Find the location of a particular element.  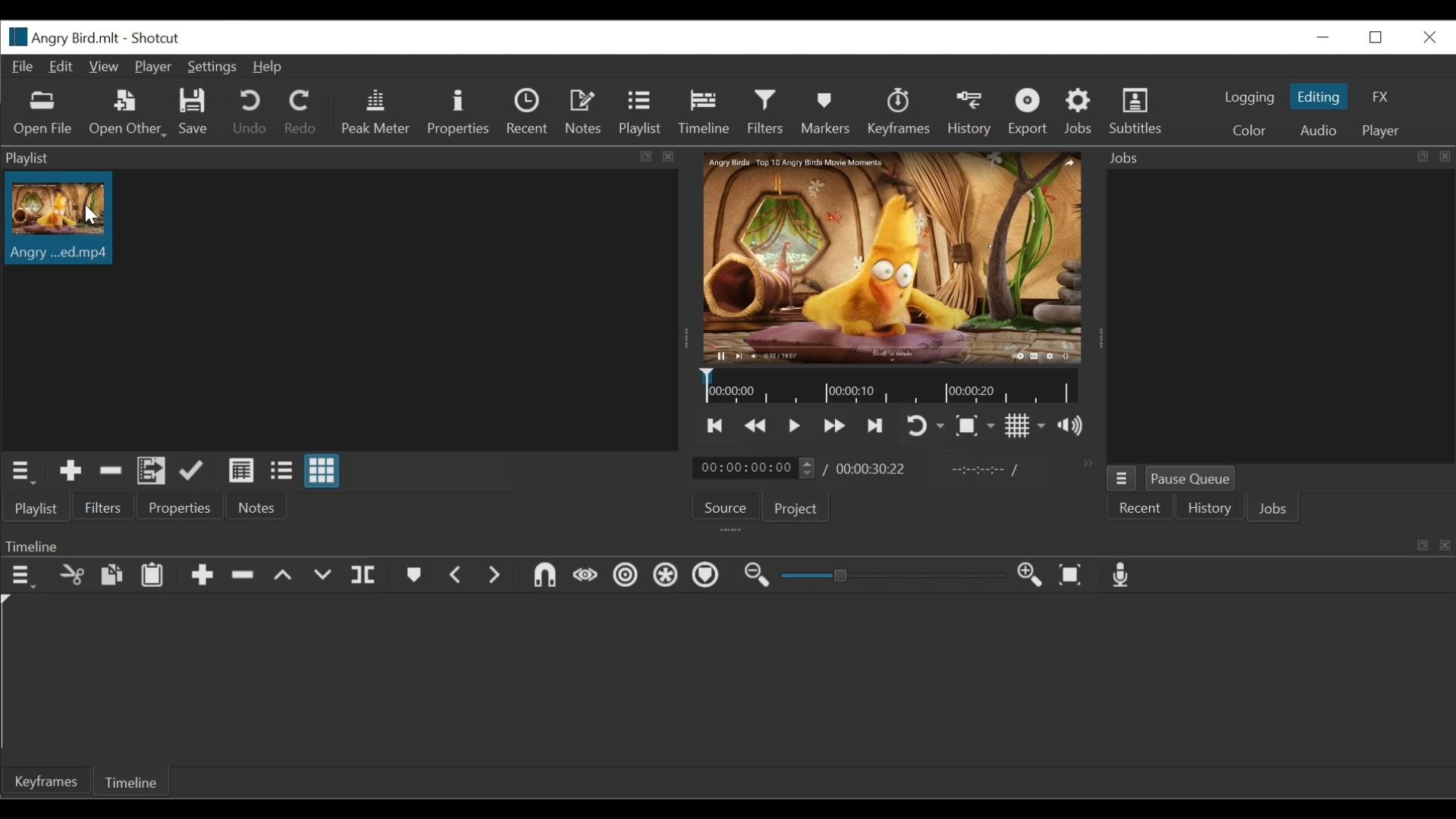

Jobs menu is located at coordinates (1122, 478).